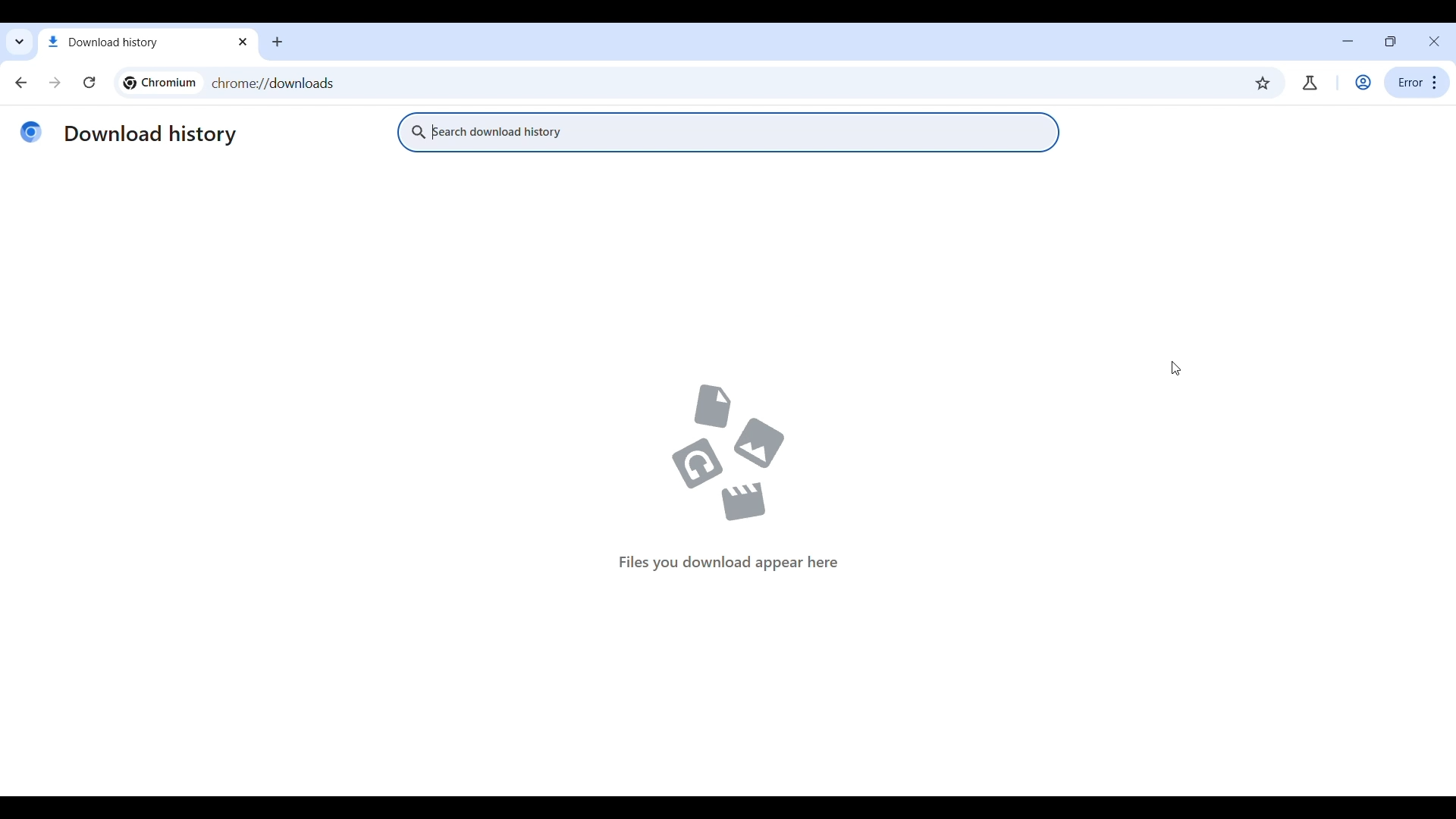 The height and width of the screenshot is (819, 1456). Describe the element at coordinates (278, 42) in the screenshot. I see `Add new tab` at that location.